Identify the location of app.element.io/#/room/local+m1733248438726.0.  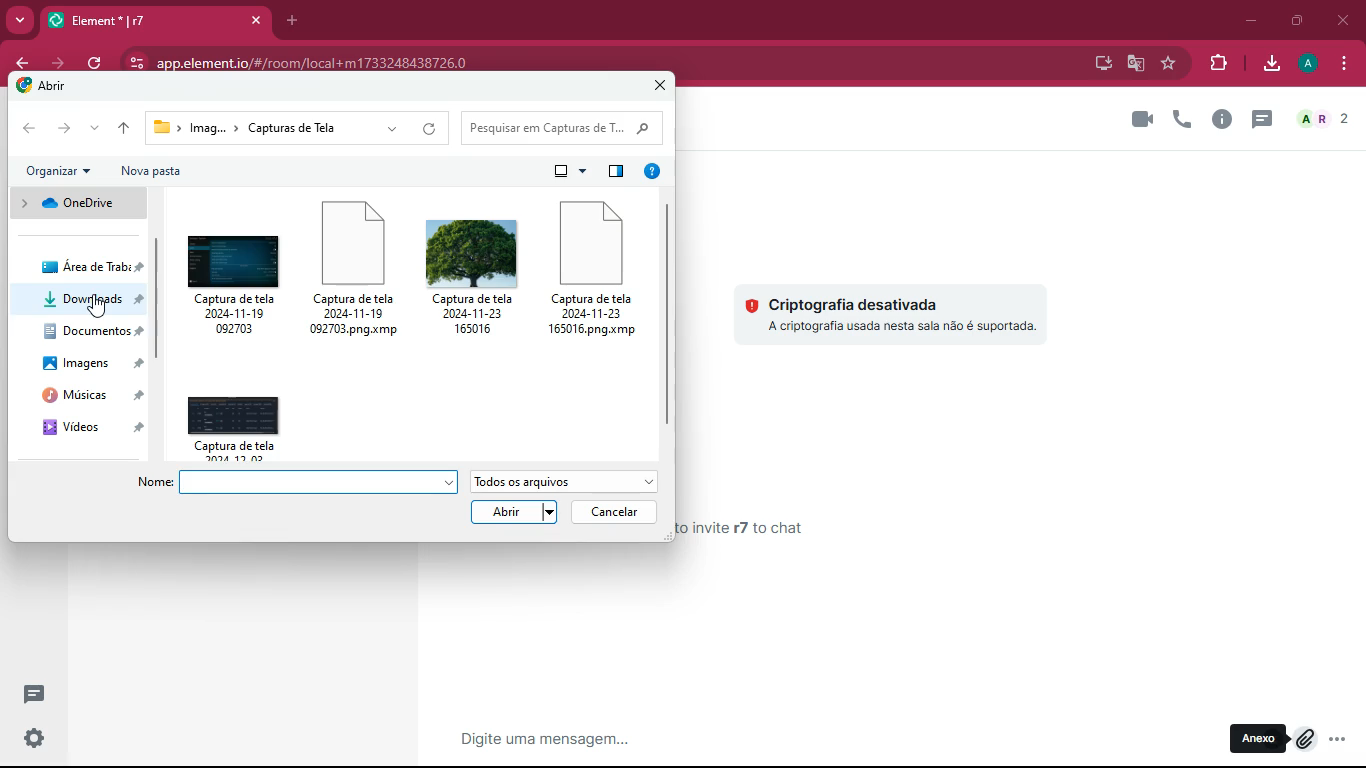
(359, 57).